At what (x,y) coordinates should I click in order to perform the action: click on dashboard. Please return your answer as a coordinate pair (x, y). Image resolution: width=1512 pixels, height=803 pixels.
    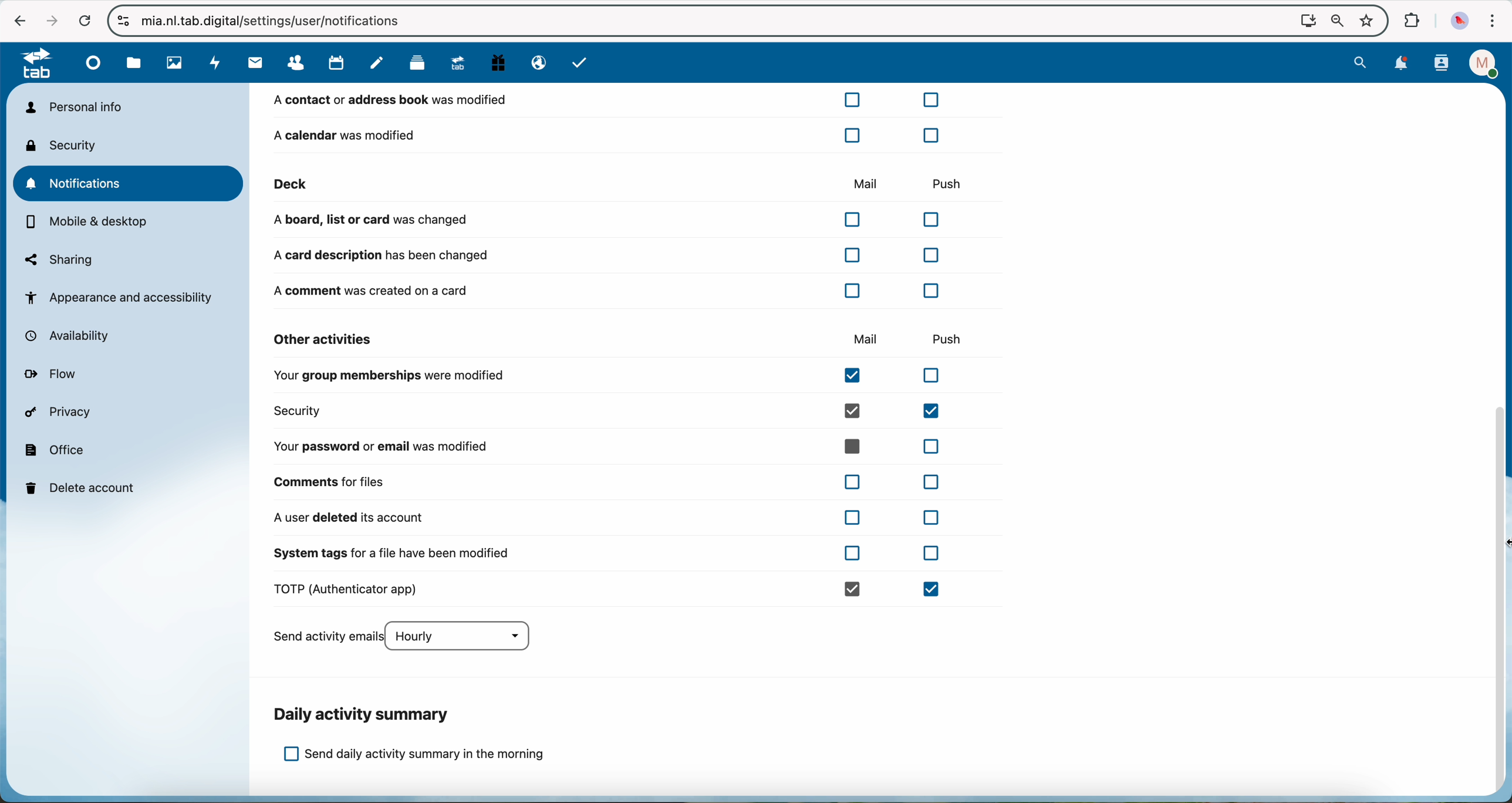
    Looking at the image, I should click on (95, 67).